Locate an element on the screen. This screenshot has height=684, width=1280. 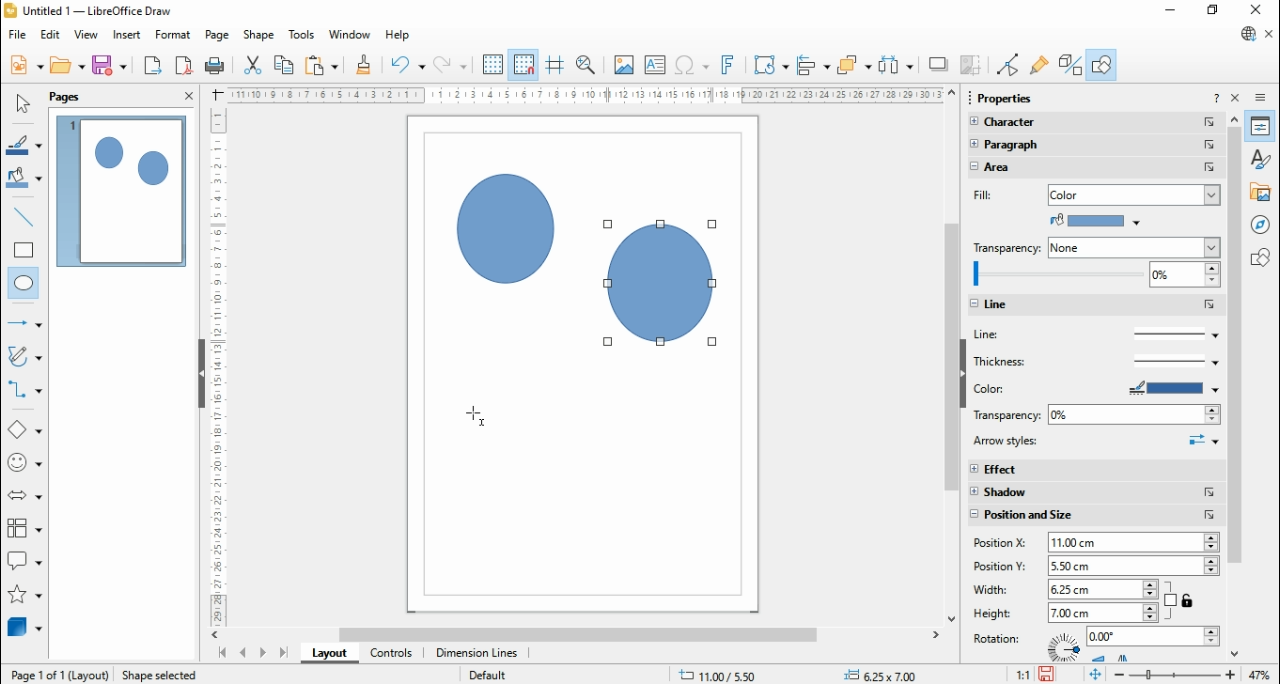
connectors is located at coordinates (25, 390).